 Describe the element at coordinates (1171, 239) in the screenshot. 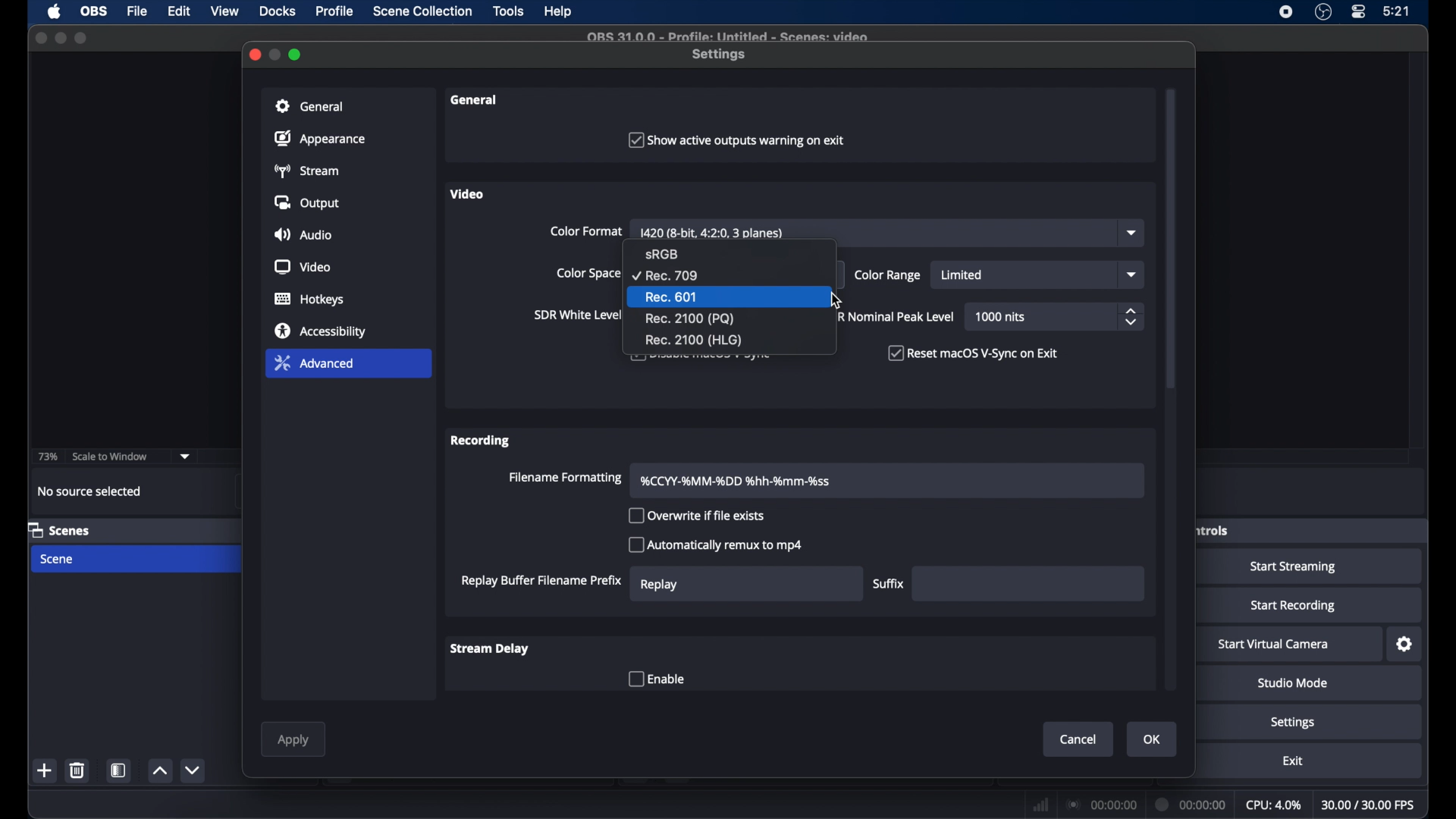

I see `scroll box` at that location.